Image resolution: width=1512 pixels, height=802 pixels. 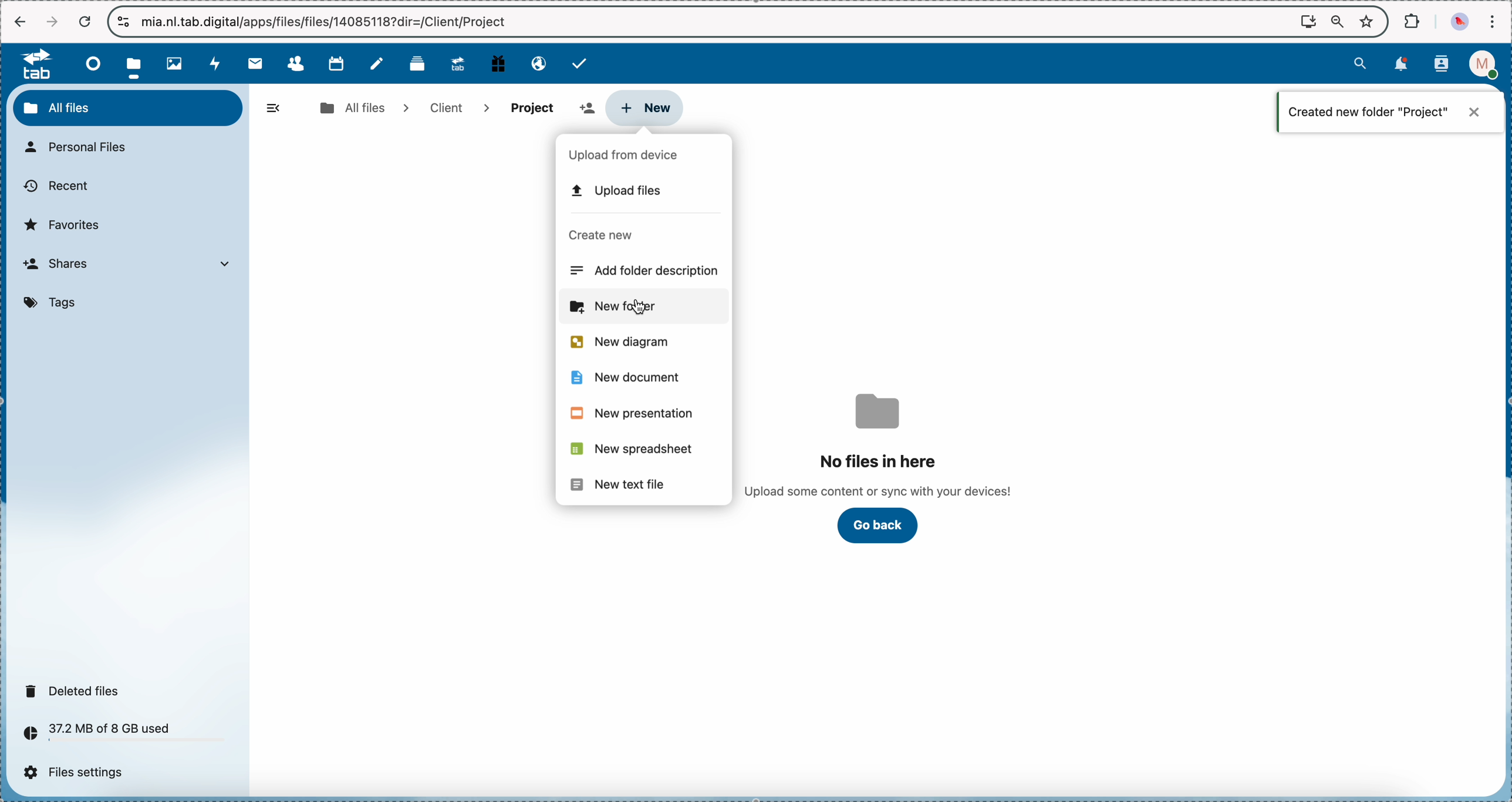 What do you see at coordinates (1442, 65) in the screenshot?
I see `contacts` at bounding box center [1442, 65].